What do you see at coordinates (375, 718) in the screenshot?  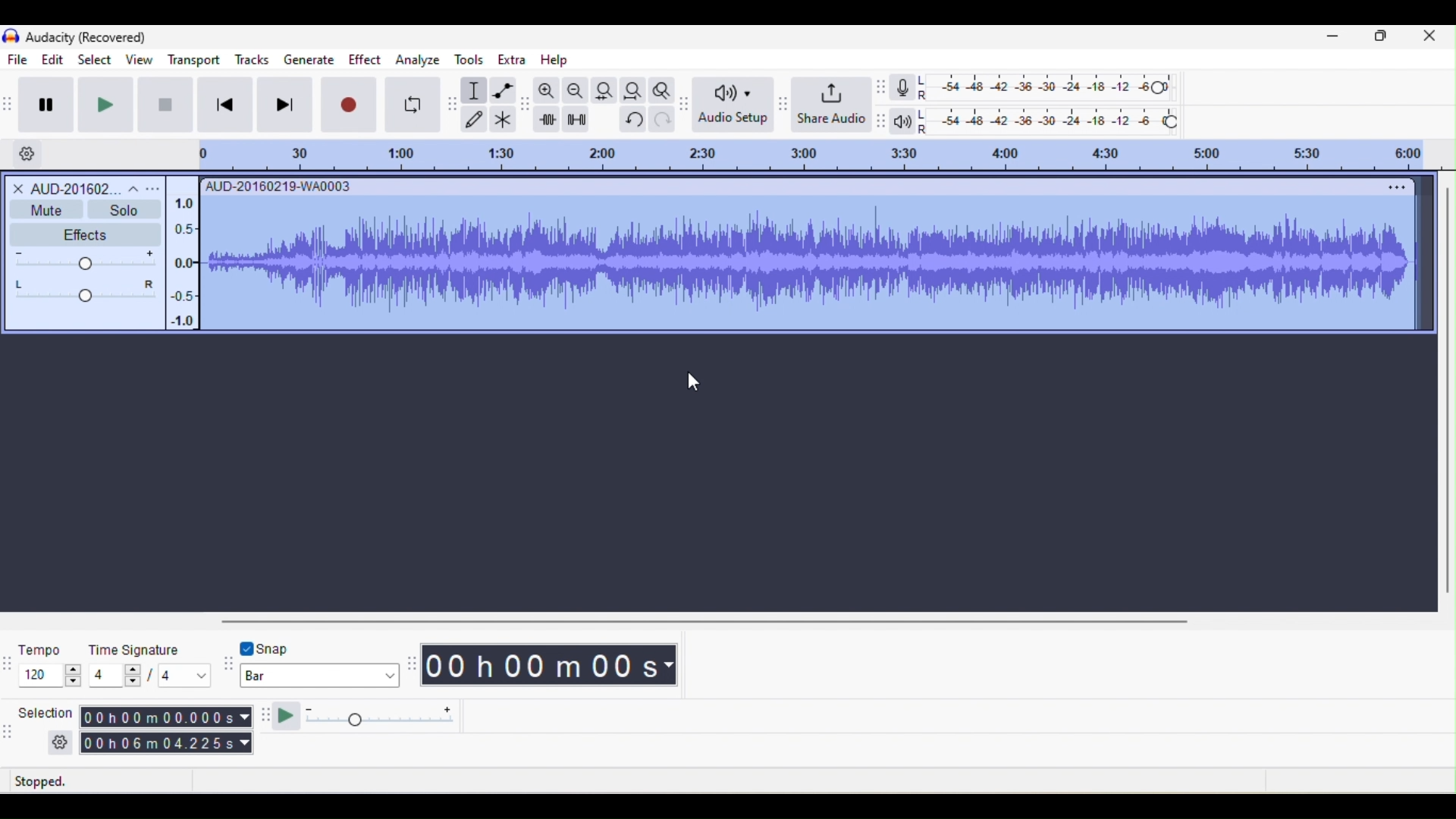 I see `play at speed` at bounding box center [375, 718].